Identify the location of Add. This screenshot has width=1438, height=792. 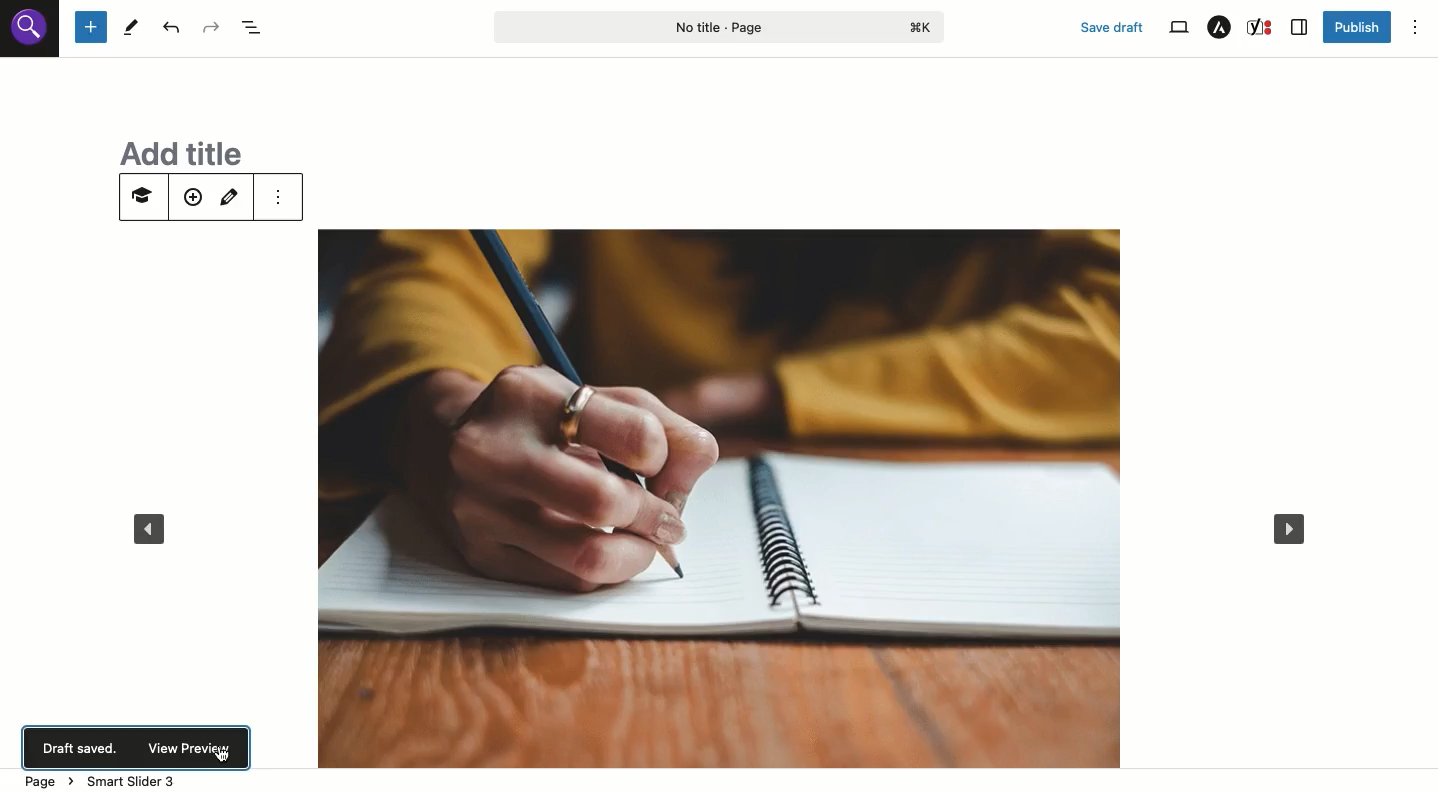
(192, 199).